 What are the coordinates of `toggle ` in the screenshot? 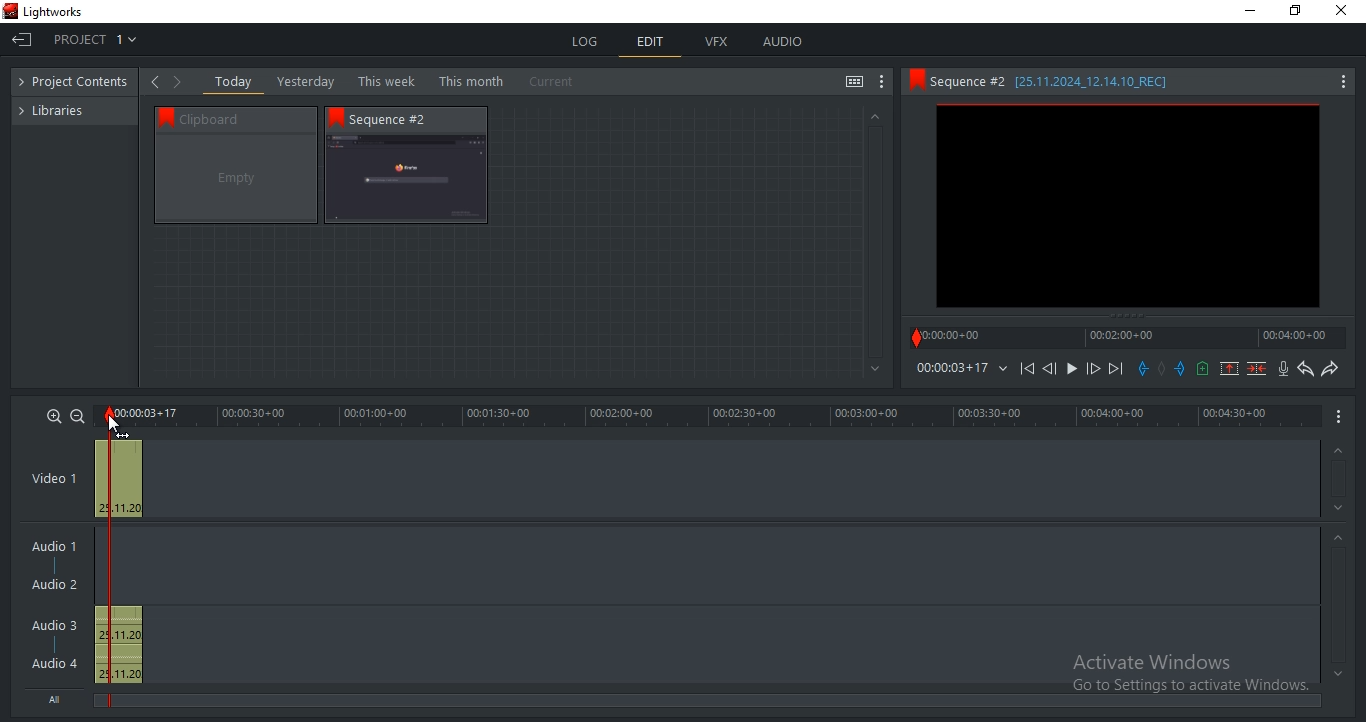 It's located at (854, 83).